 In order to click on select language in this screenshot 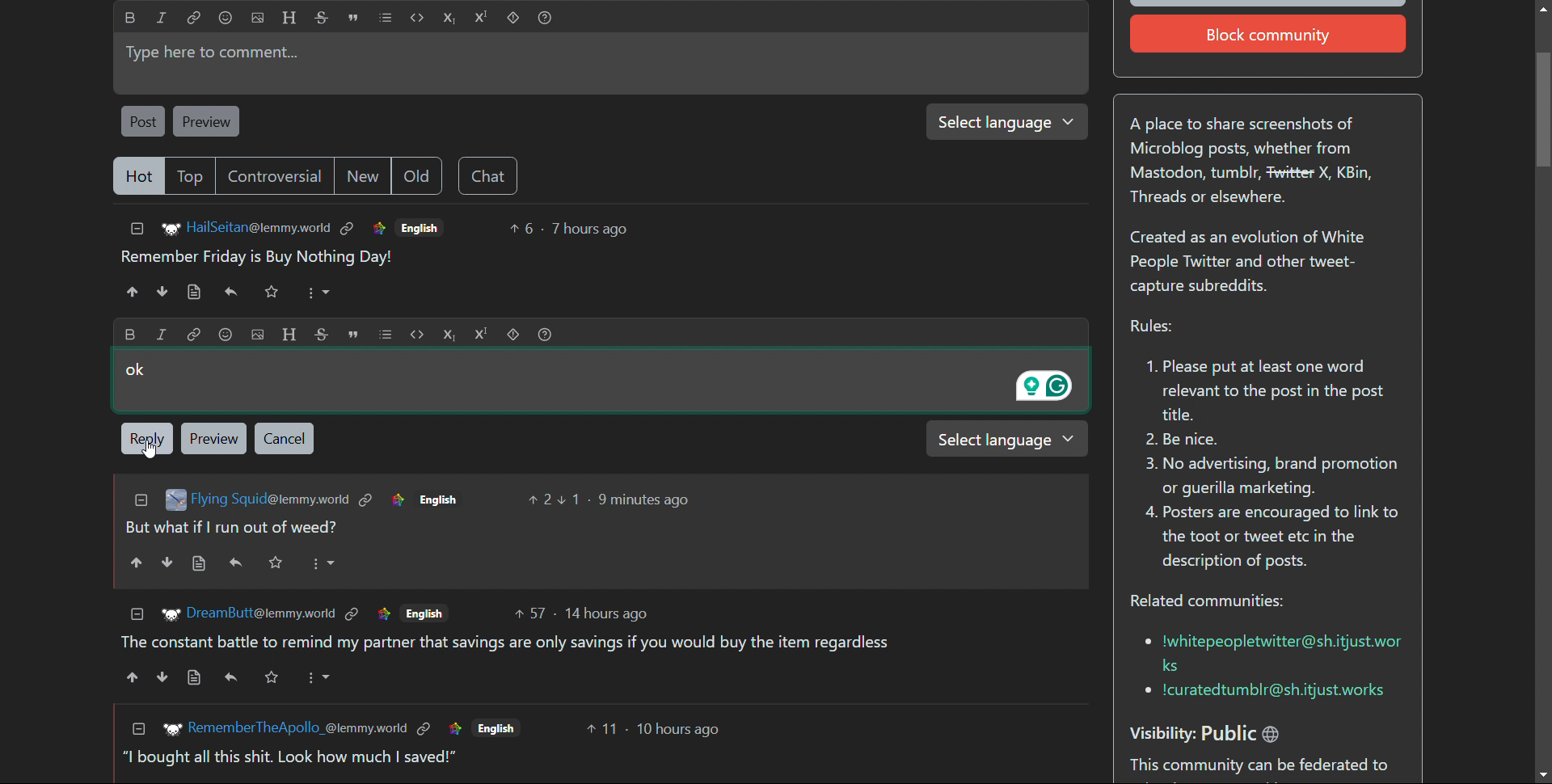, I will do `click(1001, 121)`.